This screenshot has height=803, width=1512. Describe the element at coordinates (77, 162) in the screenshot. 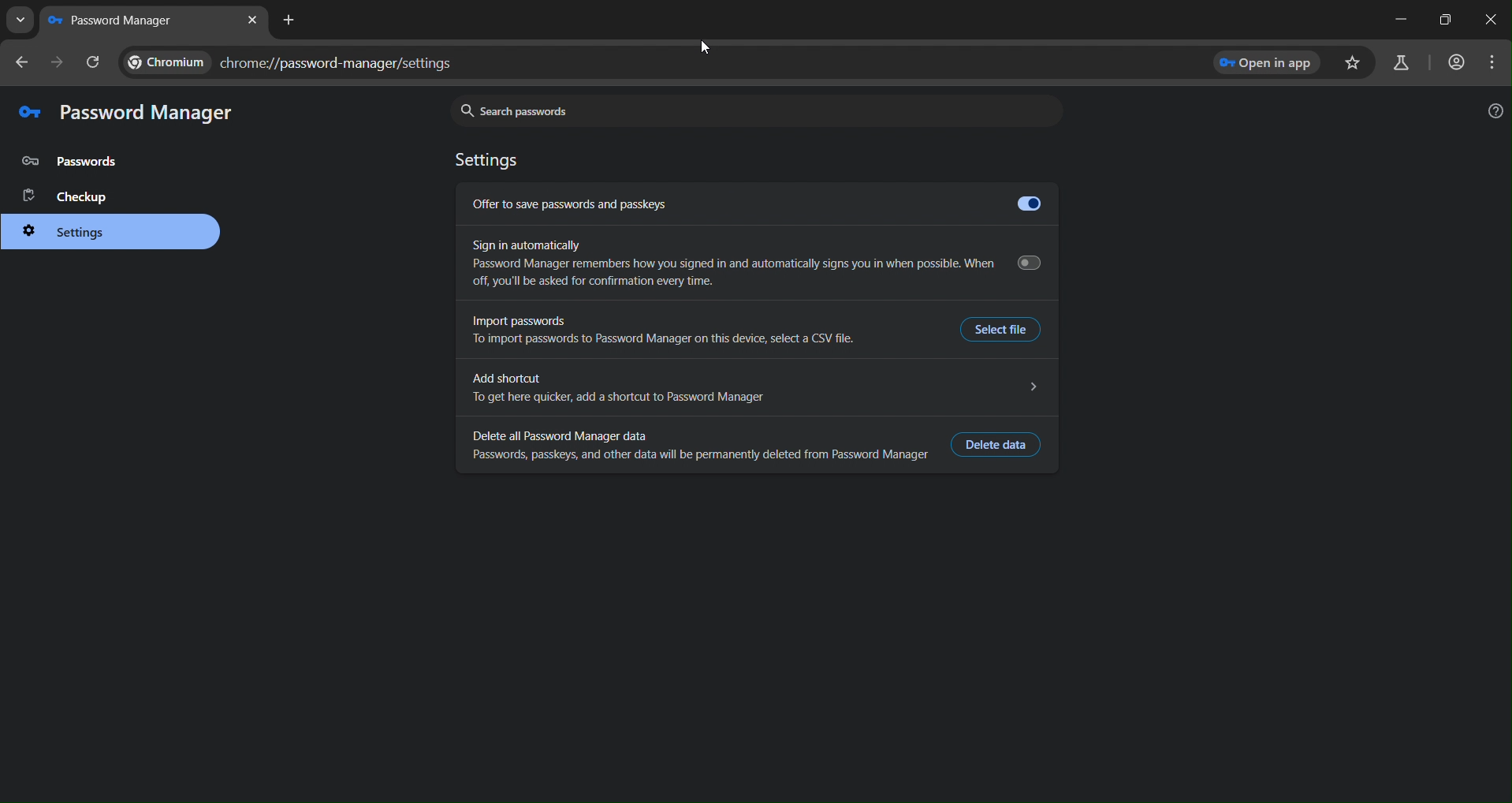

I see `password` at that location.